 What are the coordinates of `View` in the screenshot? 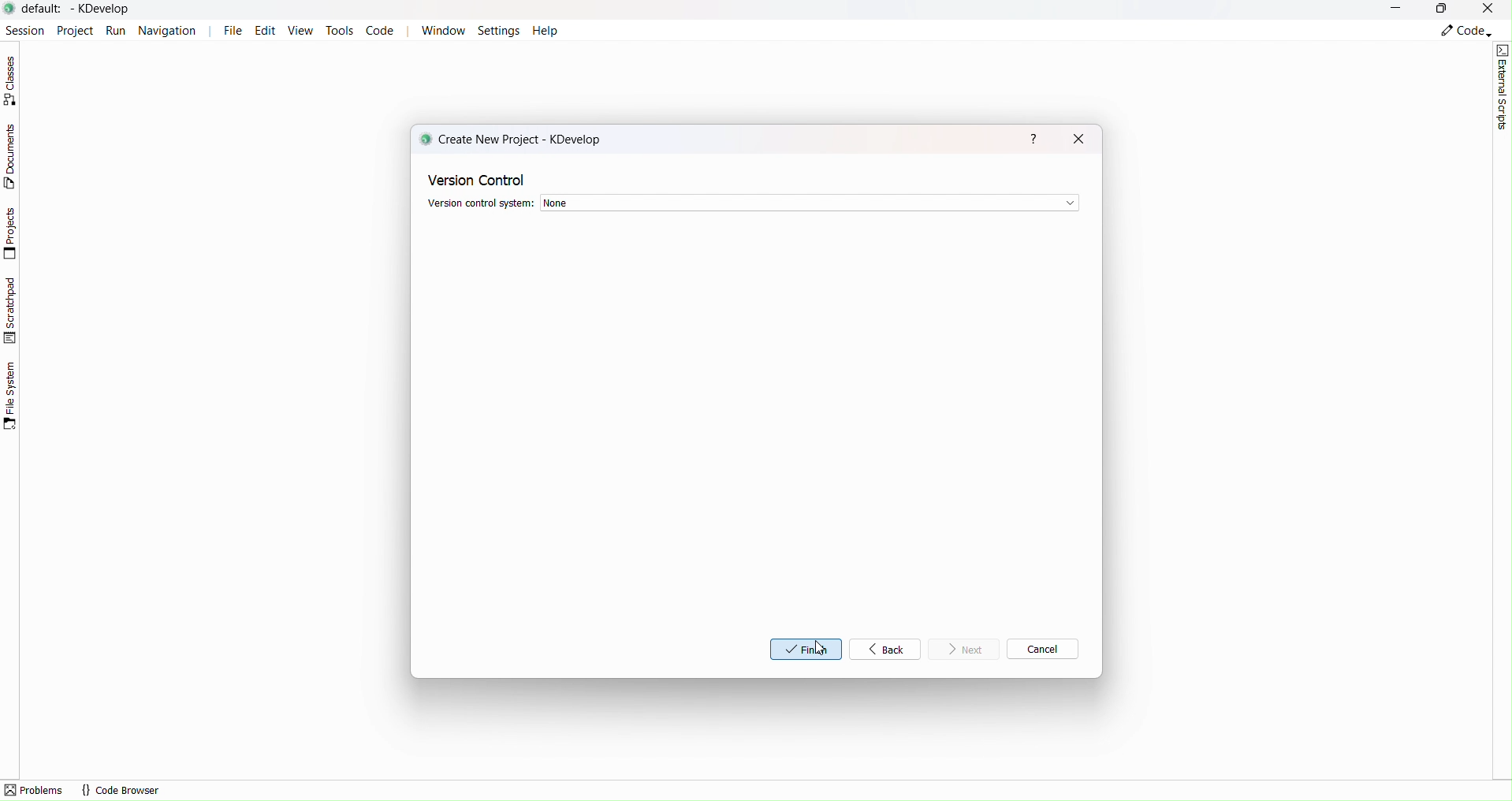 It's located at (304, 32).